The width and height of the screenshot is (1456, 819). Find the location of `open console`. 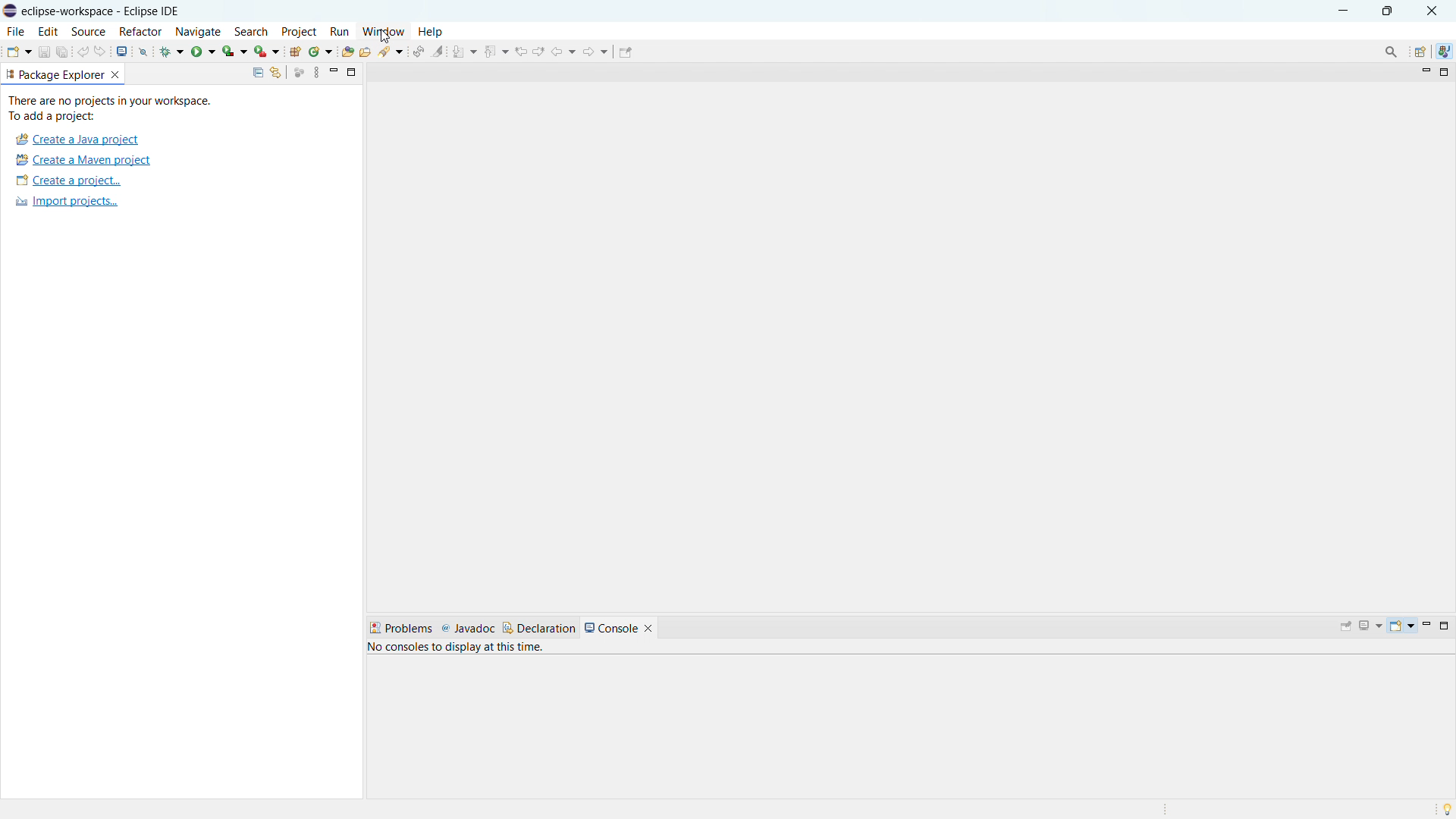

open console is located at coordinates (1401, 626).